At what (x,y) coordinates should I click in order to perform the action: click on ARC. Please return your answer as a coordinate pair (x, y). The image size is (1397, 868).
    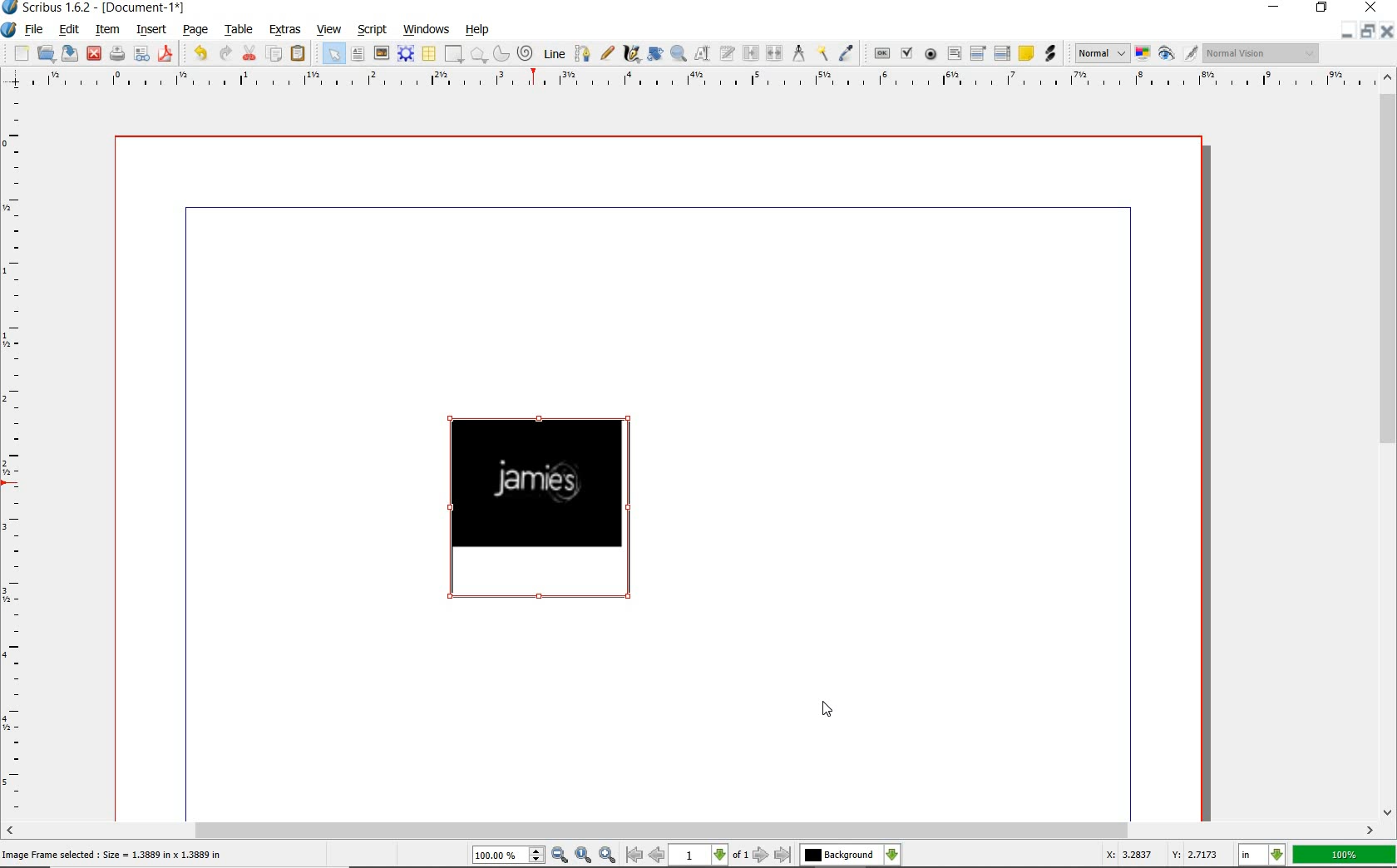
    Looking at the image, I should click on (501, 54).